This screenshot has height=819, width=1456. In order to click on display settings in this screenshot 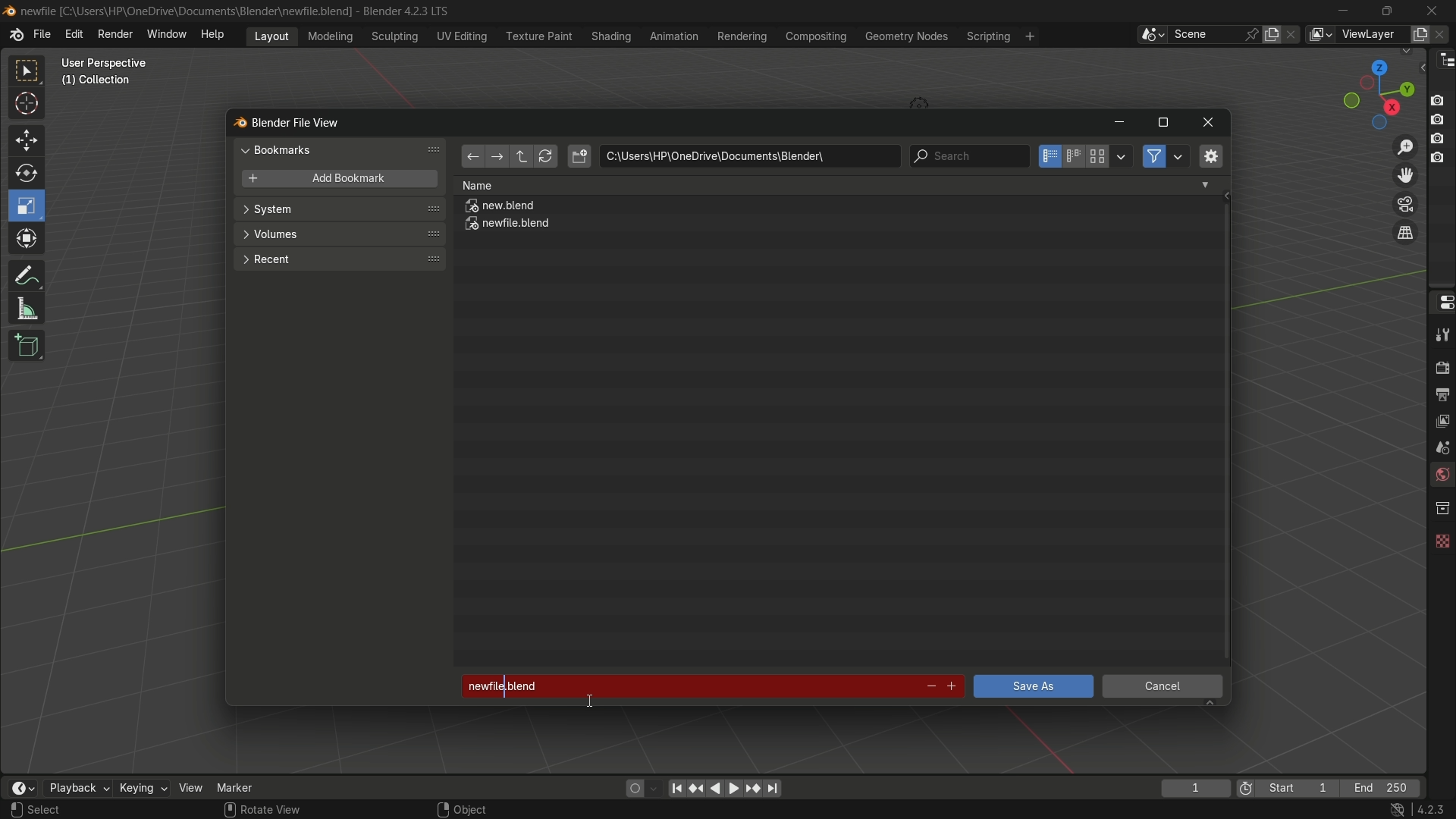, I will do `click(1122, 155)`.